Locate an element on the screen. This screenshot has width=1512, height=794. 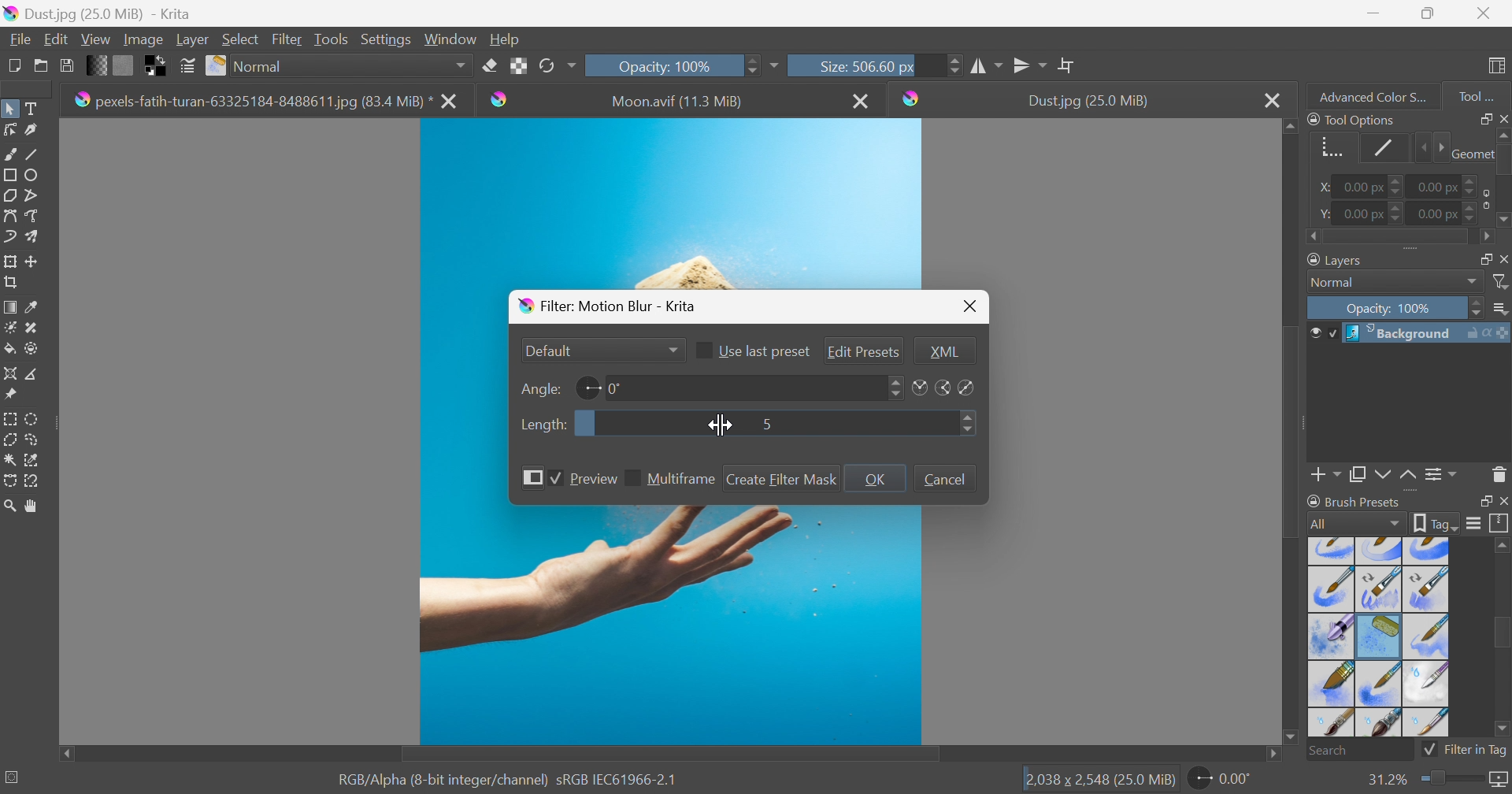
Save is located at coordinates (65, 64).